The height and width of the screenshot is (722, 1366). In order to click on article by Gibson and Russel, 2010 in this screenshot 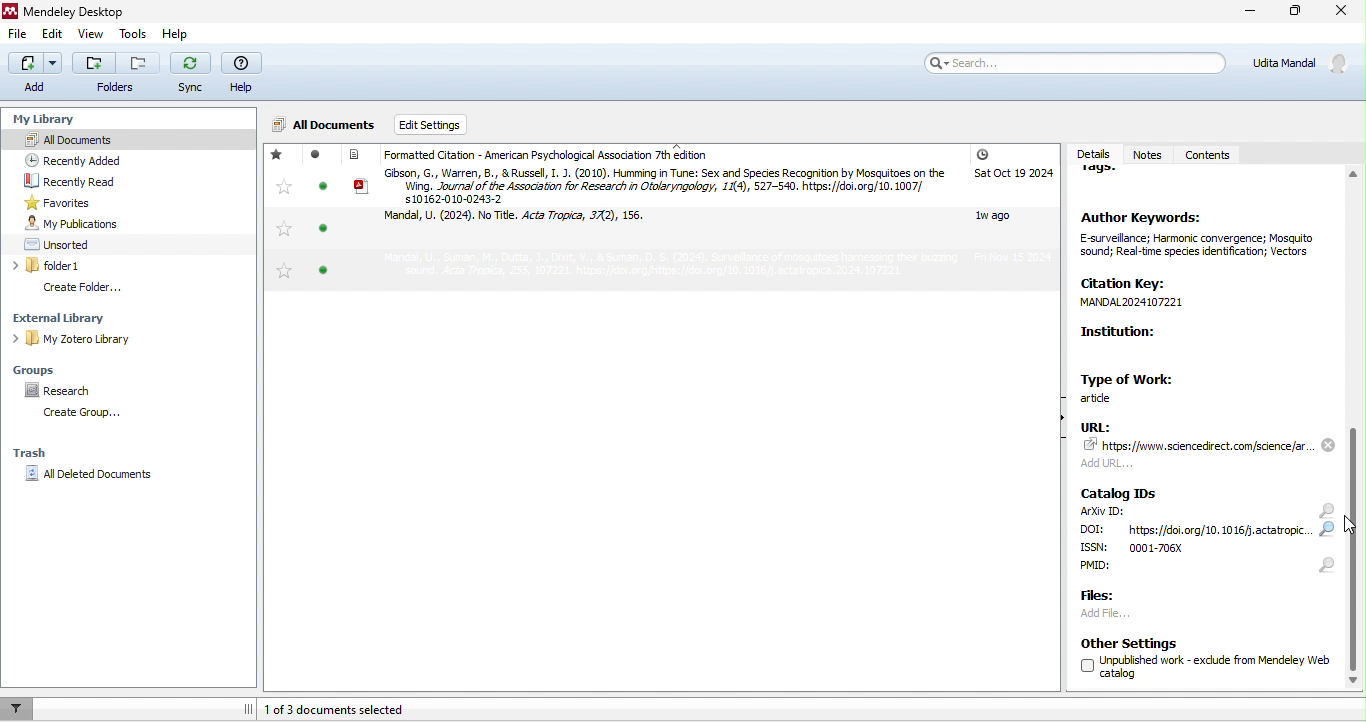, I will do `click(651, 185)`.